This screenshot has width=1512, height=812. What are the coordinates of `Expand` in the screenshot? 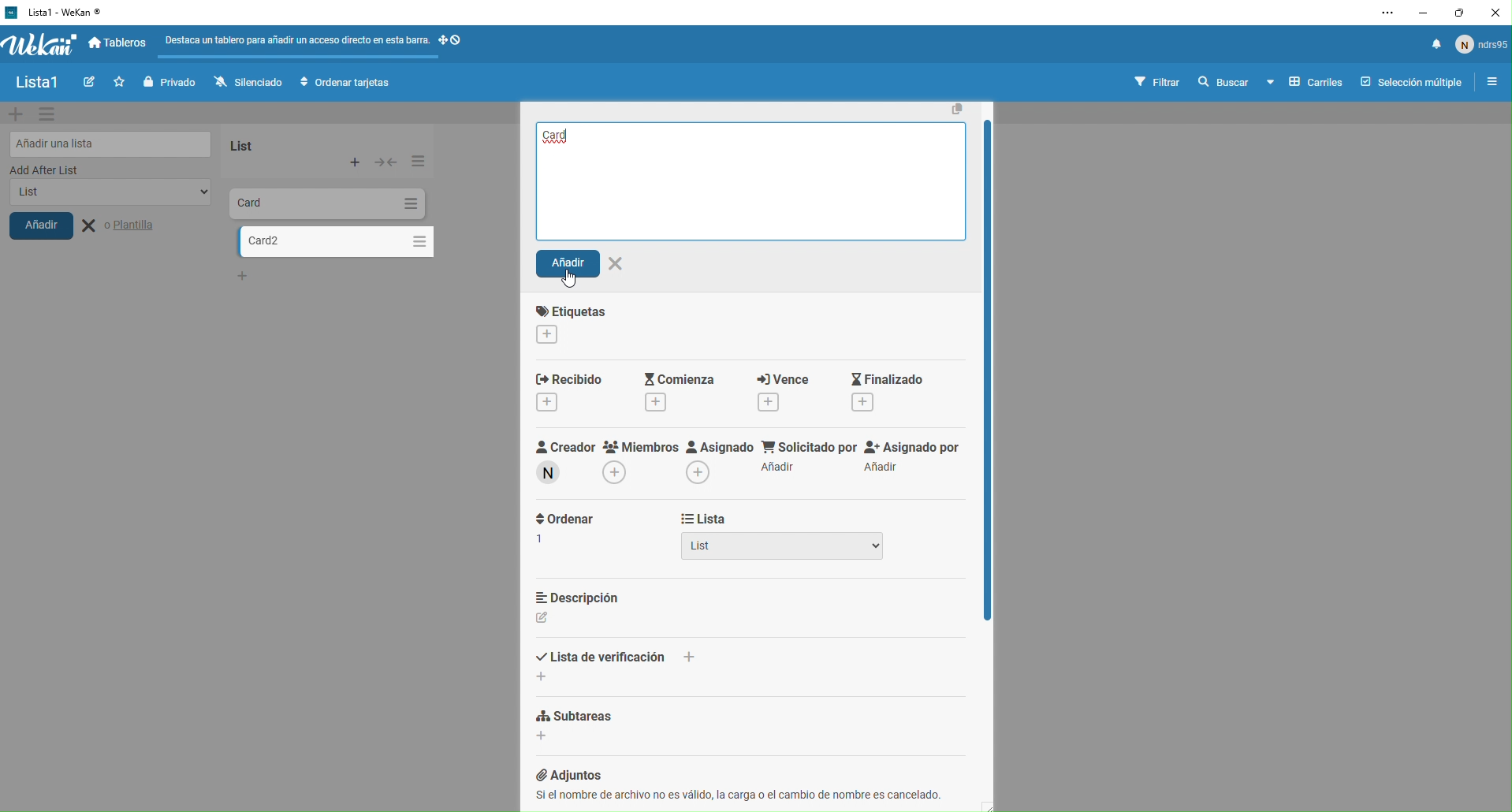 It's located at (386, 162).